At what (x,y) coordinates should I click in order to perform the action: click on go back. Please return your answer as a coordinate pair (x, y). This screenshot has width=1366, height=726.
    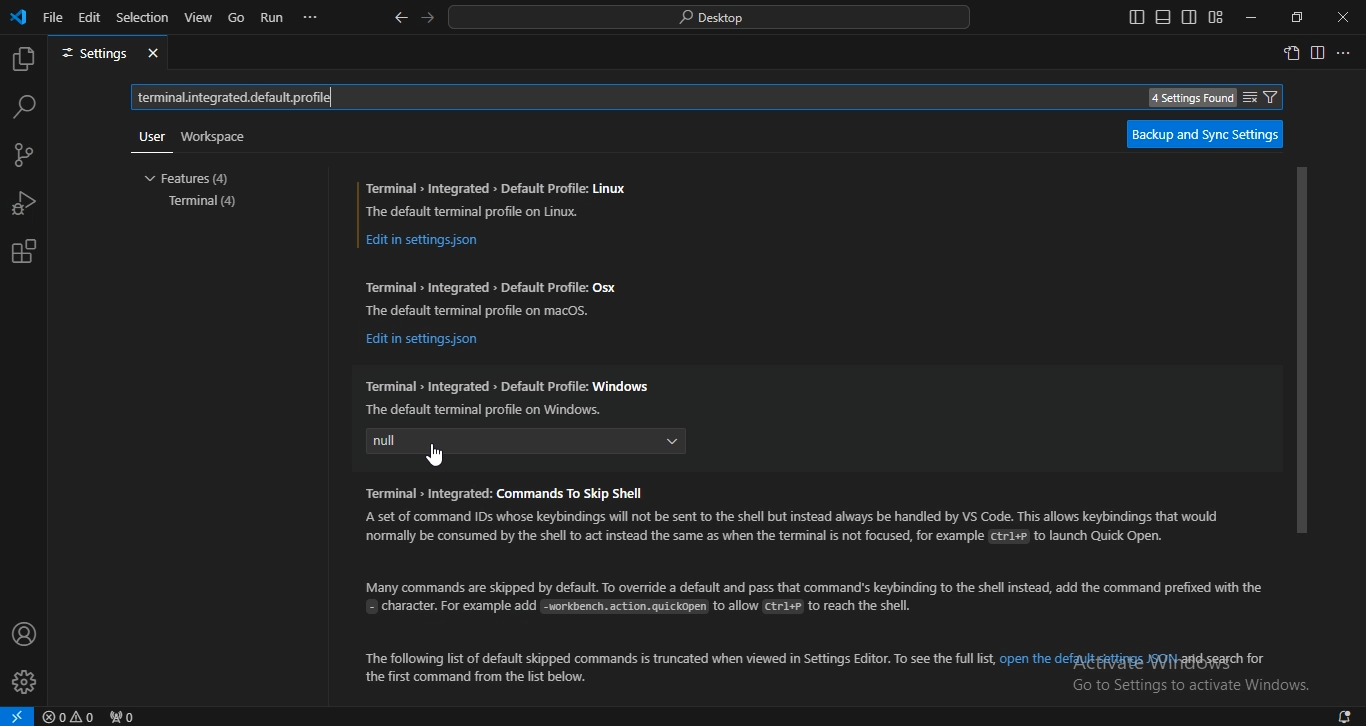
    Looking at the image, I should click on (402, 19).